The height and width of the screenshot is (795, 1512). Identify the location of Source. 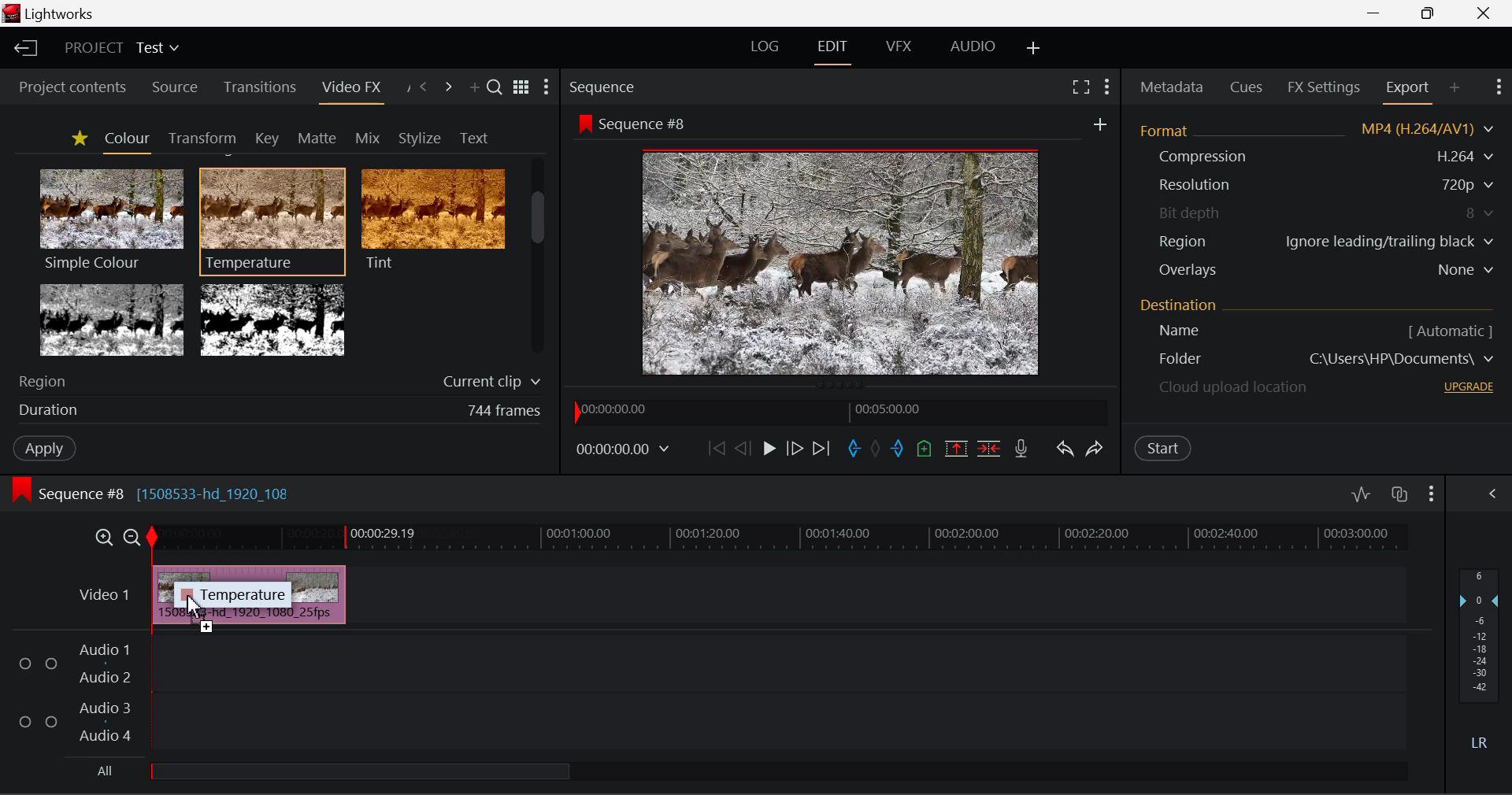
(176, 90).